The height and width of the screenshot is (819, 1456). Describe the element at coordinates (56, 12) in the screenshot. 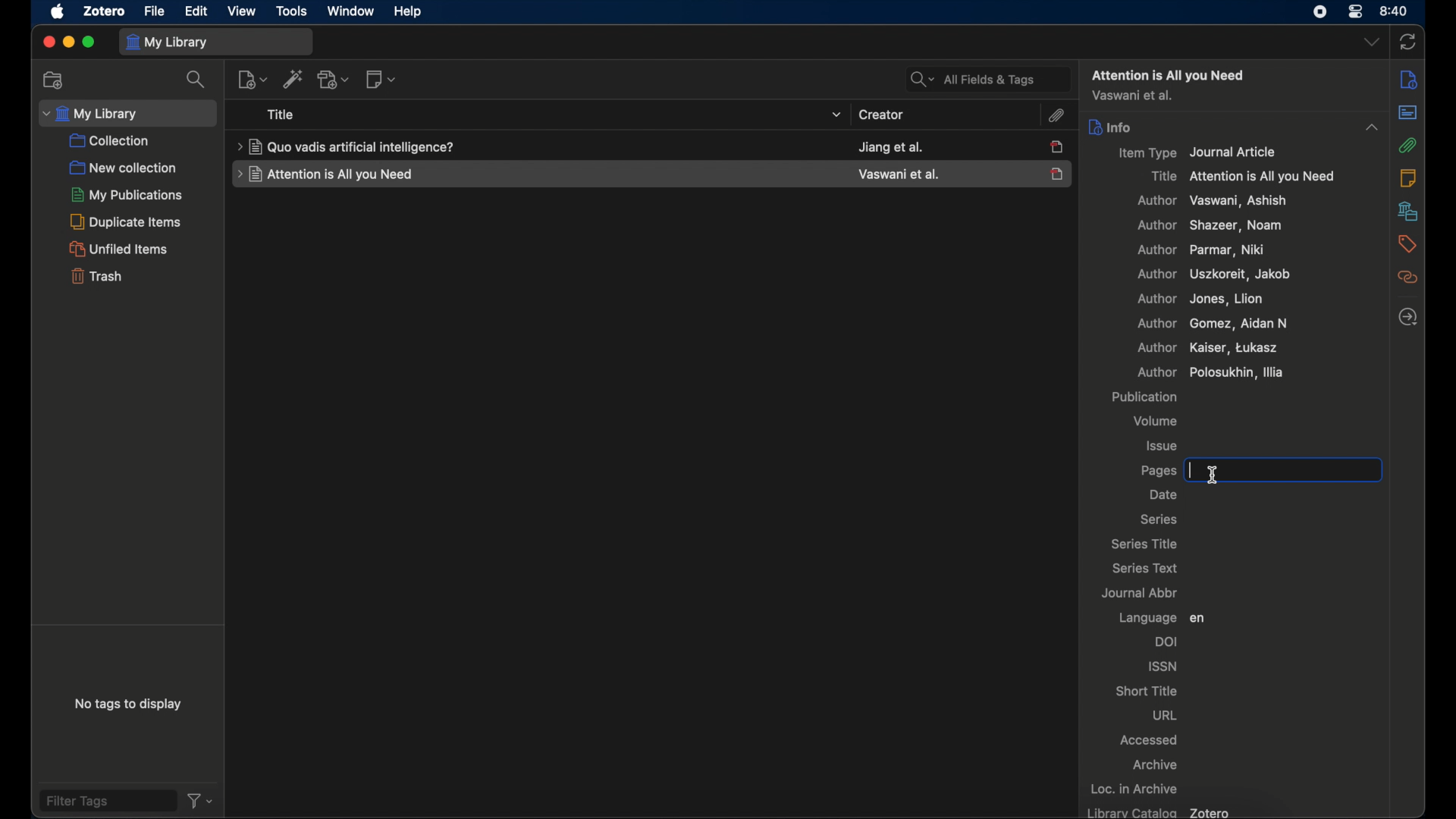

I see `apple icon` at that location.